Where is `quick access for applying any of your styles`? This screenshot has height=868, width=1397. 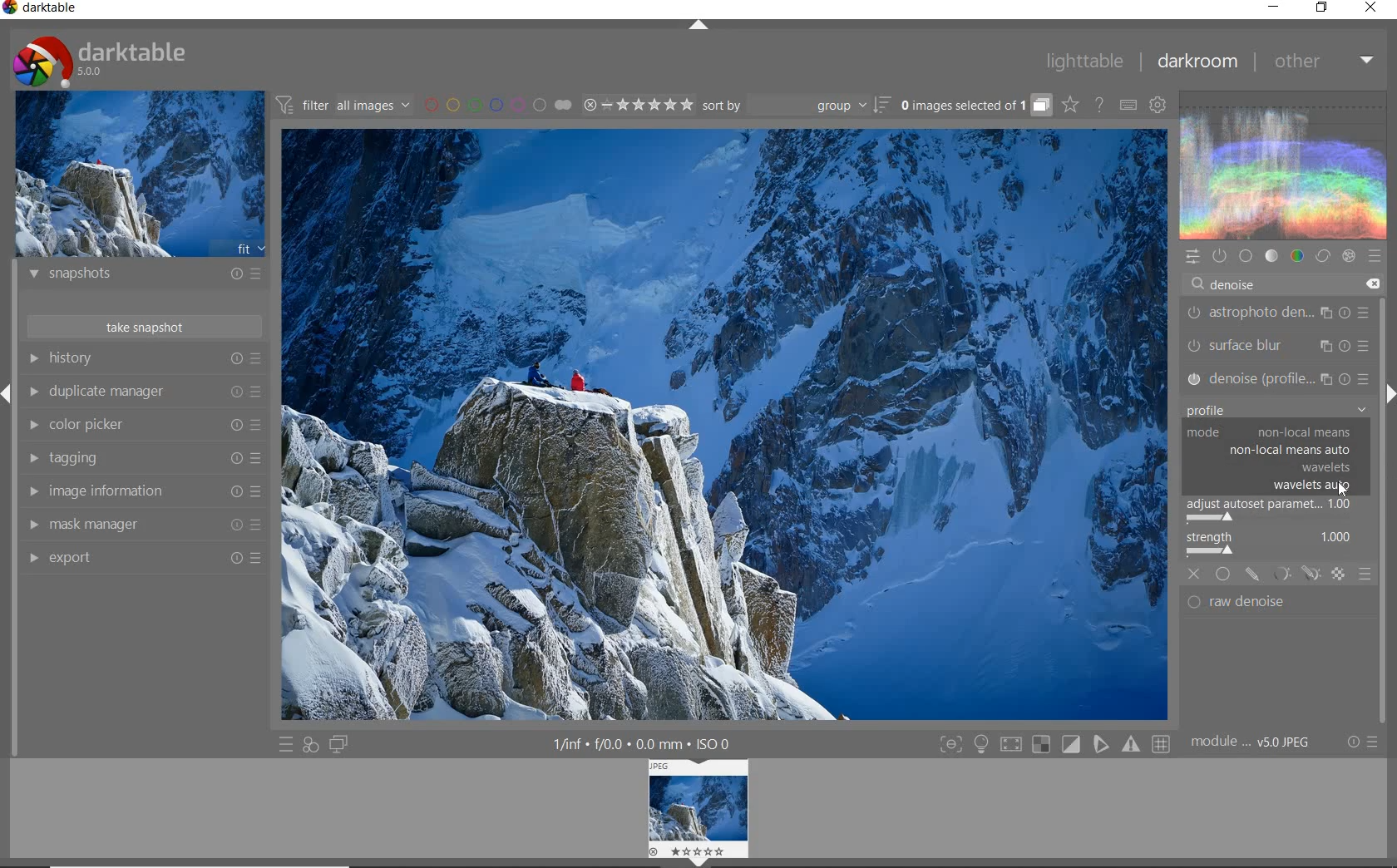
quick access for applying any of your styles is located at coordinates (311, 747).